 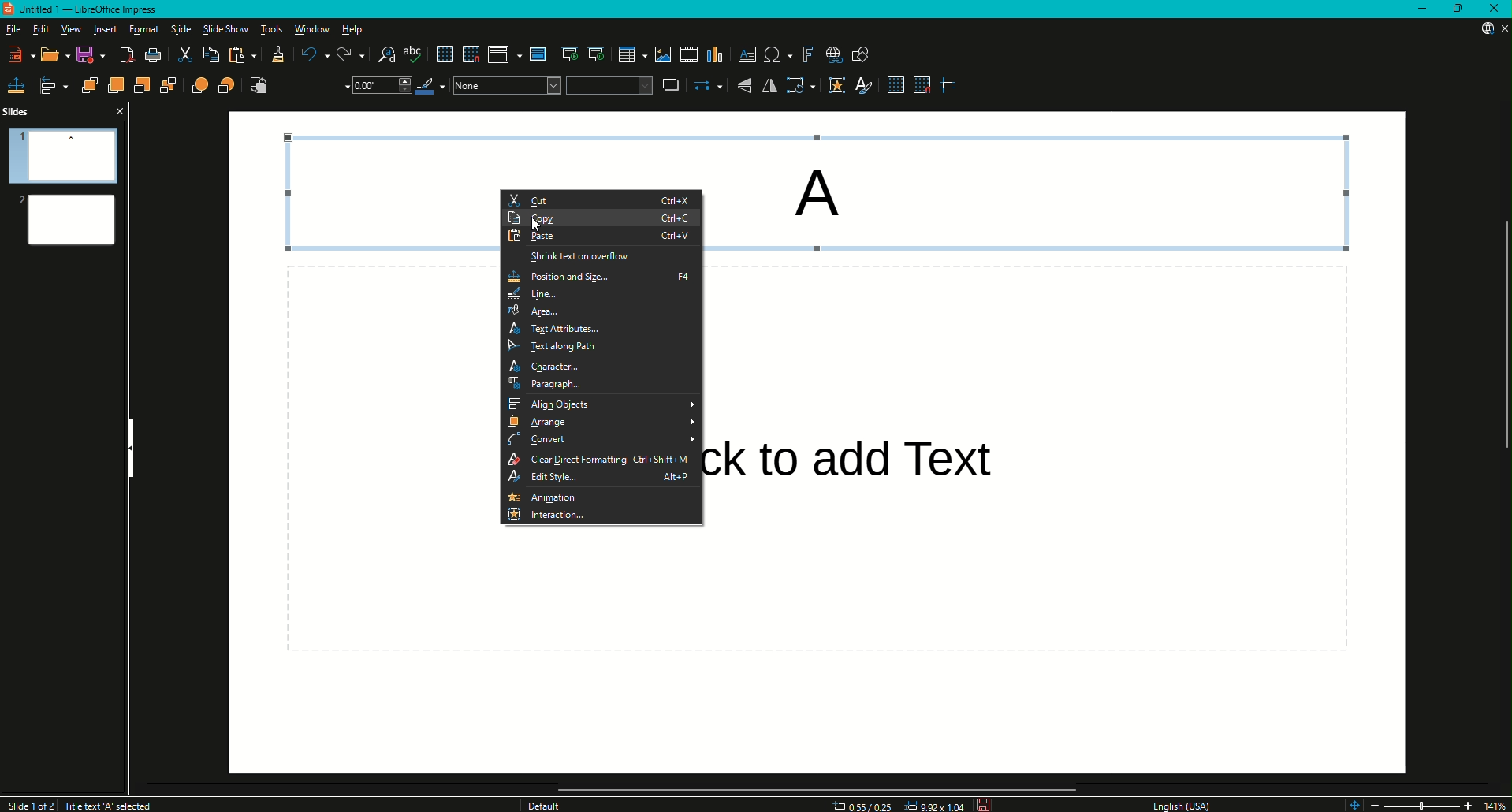 What do you see at coordinates (601, 259) in the screenshot?
I see `Shrink text on overflow` at bounding box center [601, 259].